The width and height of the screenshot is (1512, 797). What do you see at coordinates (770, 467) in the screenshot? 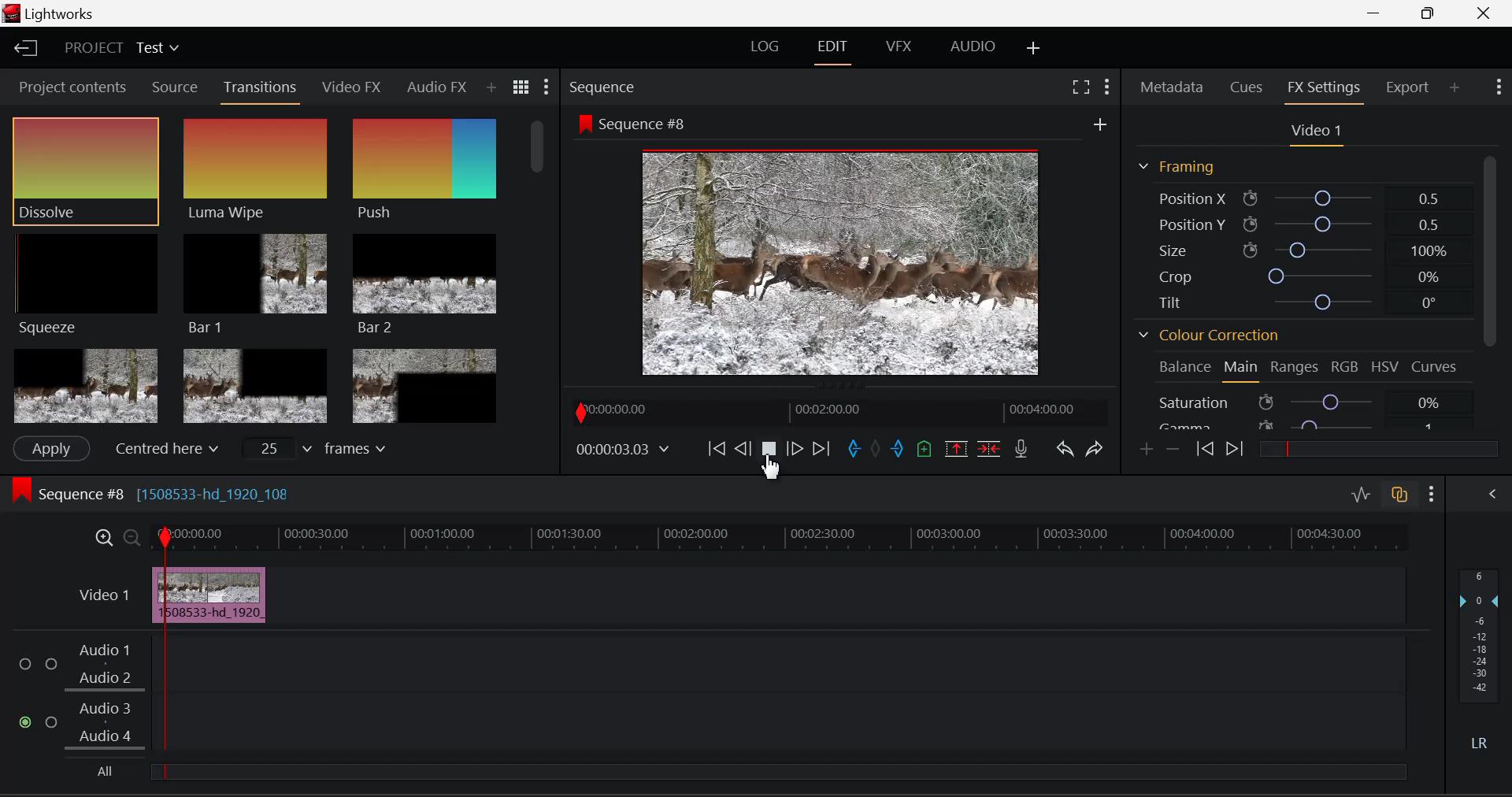
I see `Cursor` at bounding box center [770, 467].